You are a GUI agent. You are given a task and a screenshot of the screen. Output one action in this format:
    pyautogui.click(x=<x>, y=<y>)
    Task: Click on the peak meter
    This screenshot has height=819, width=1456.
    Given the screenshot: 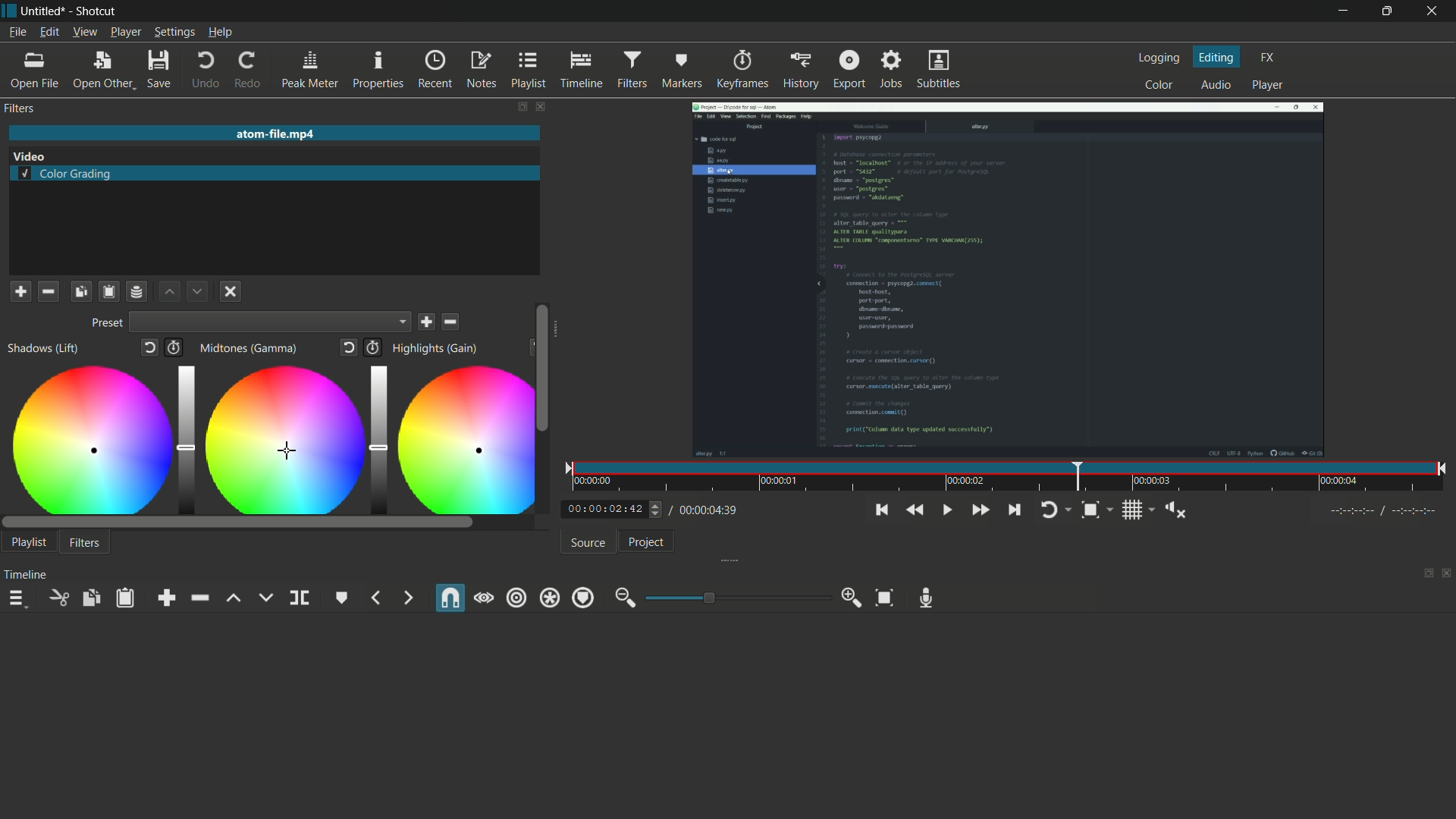 What is the action you would take?
    pyautogui.click(x=310, y=71)
    